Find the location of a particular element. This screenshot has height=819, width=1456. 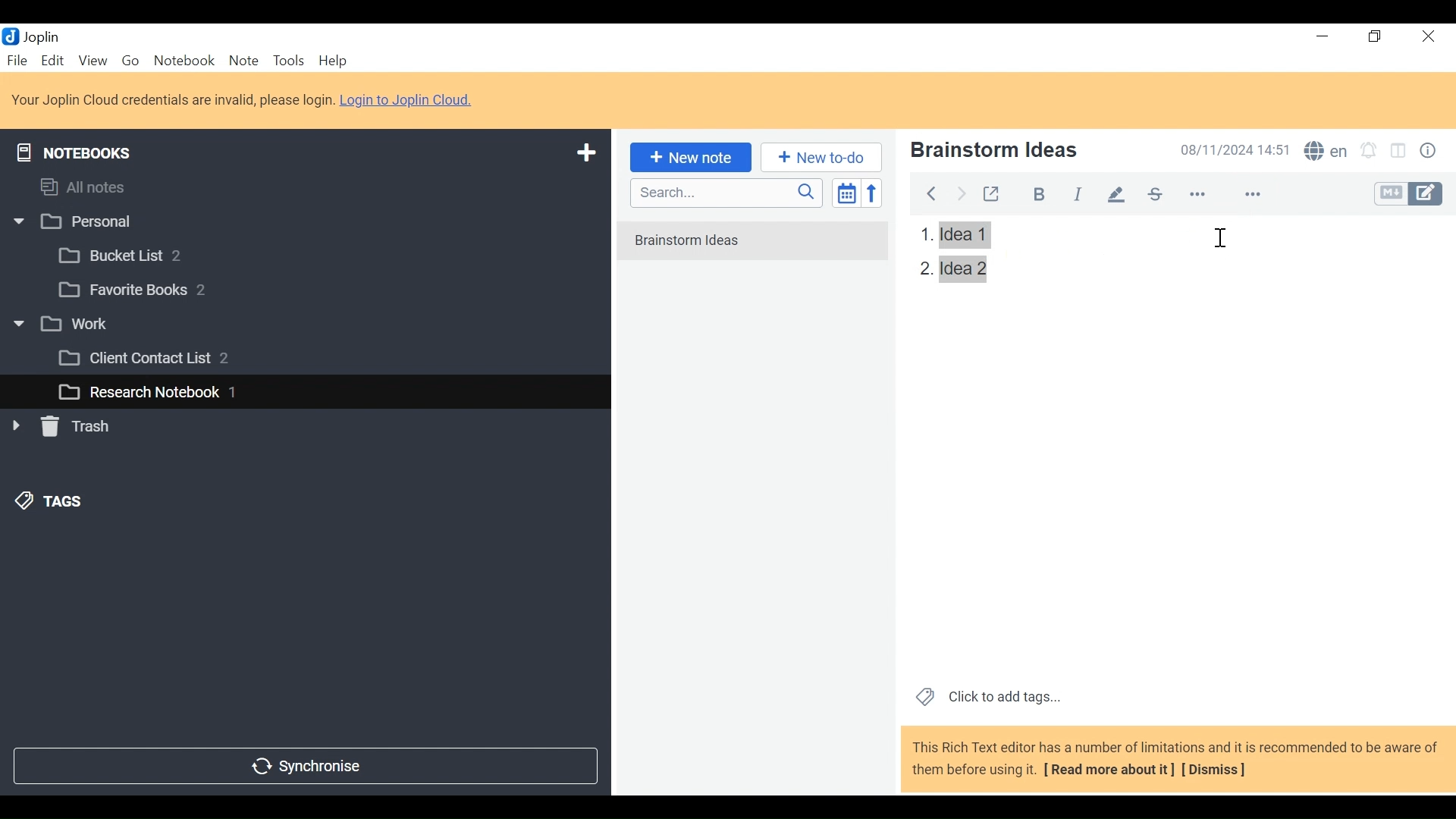

Minimize is located at coordinates (1321, 36).